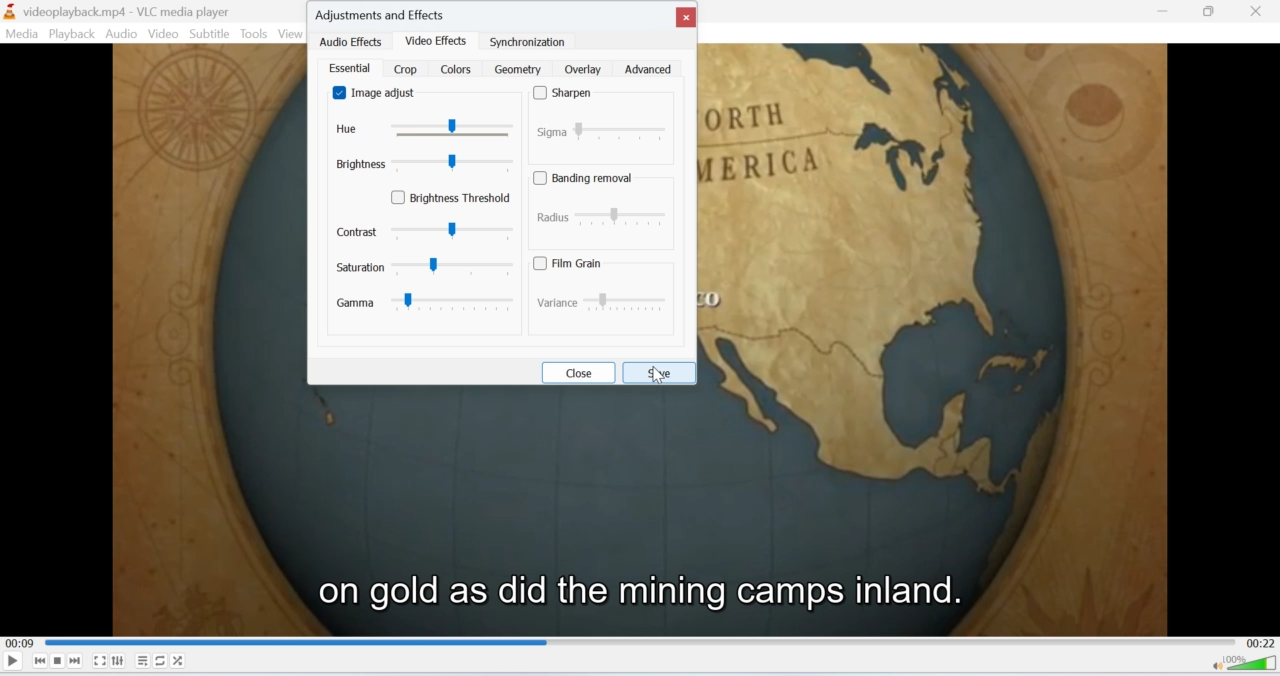 Image resolution: width=1280 pixels, height=676 pixels. Describe the element at coordinates (1244, 662) in the screenshot. I see `Volume` at that location.